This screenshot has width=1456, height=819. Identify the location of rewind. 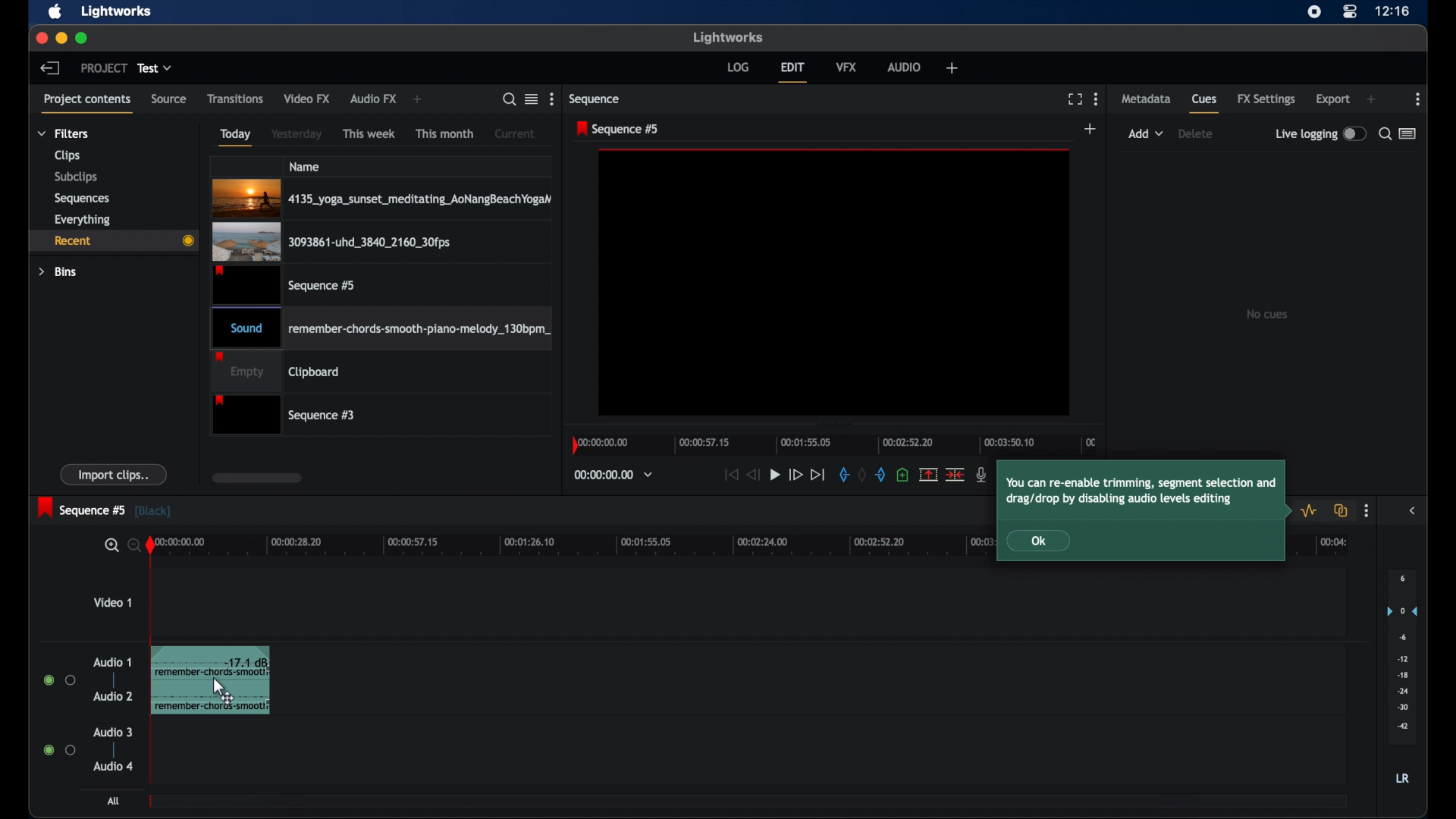
(752, 473).